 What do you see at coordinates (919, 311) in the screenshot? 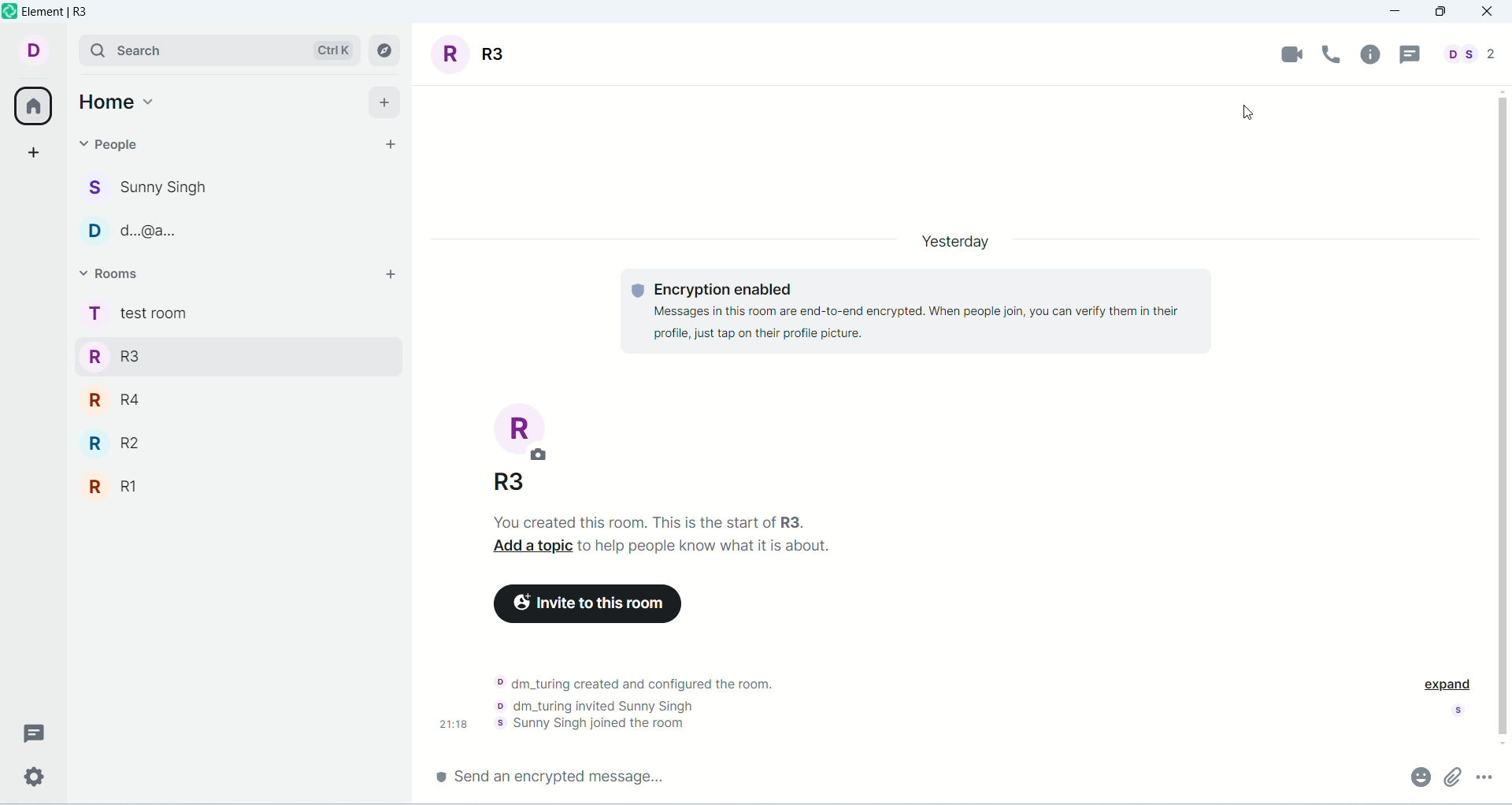
I see `text` at bounding box center [919, 311].